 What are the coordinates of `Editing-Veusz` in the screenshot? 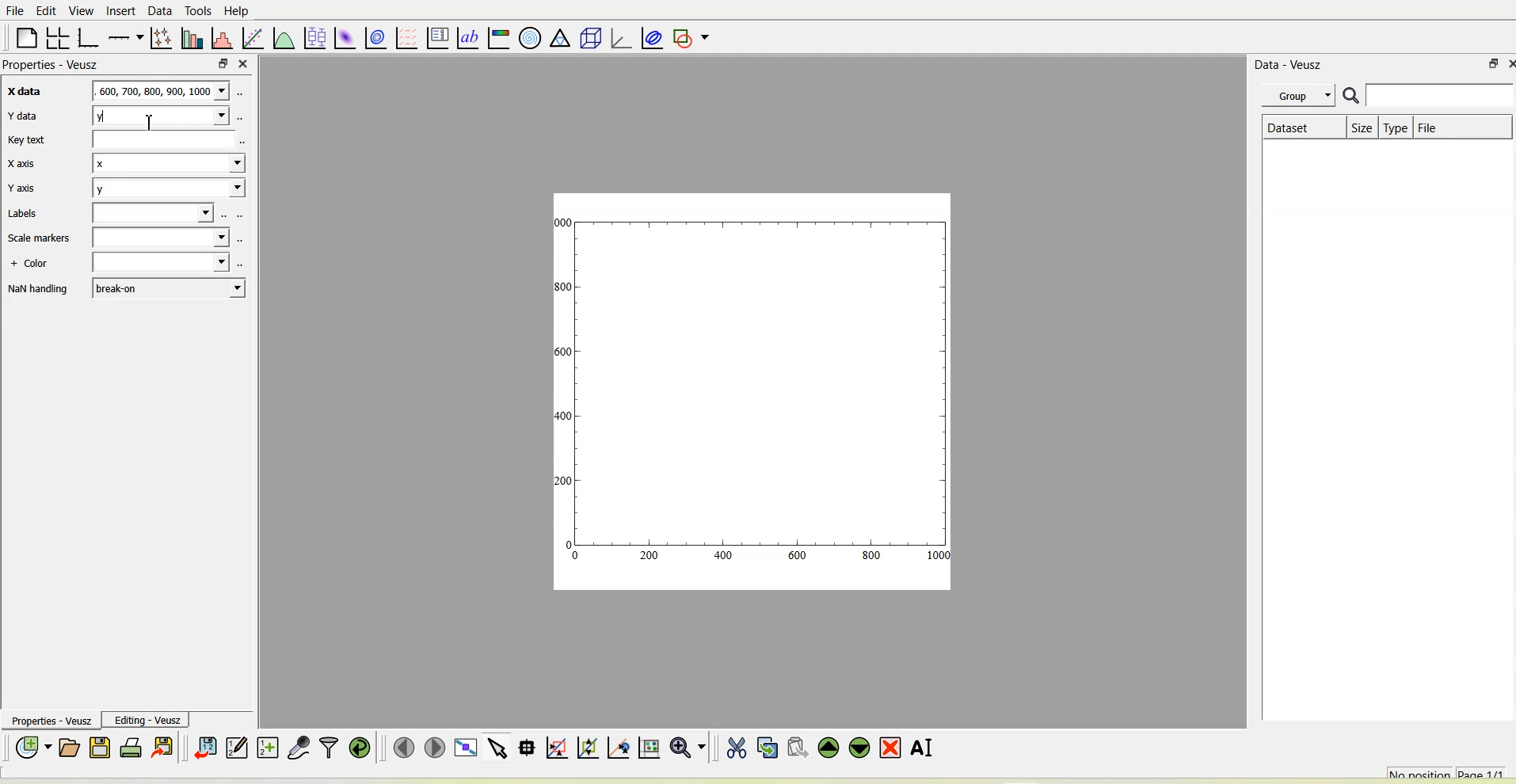 It's located at (146, 720).